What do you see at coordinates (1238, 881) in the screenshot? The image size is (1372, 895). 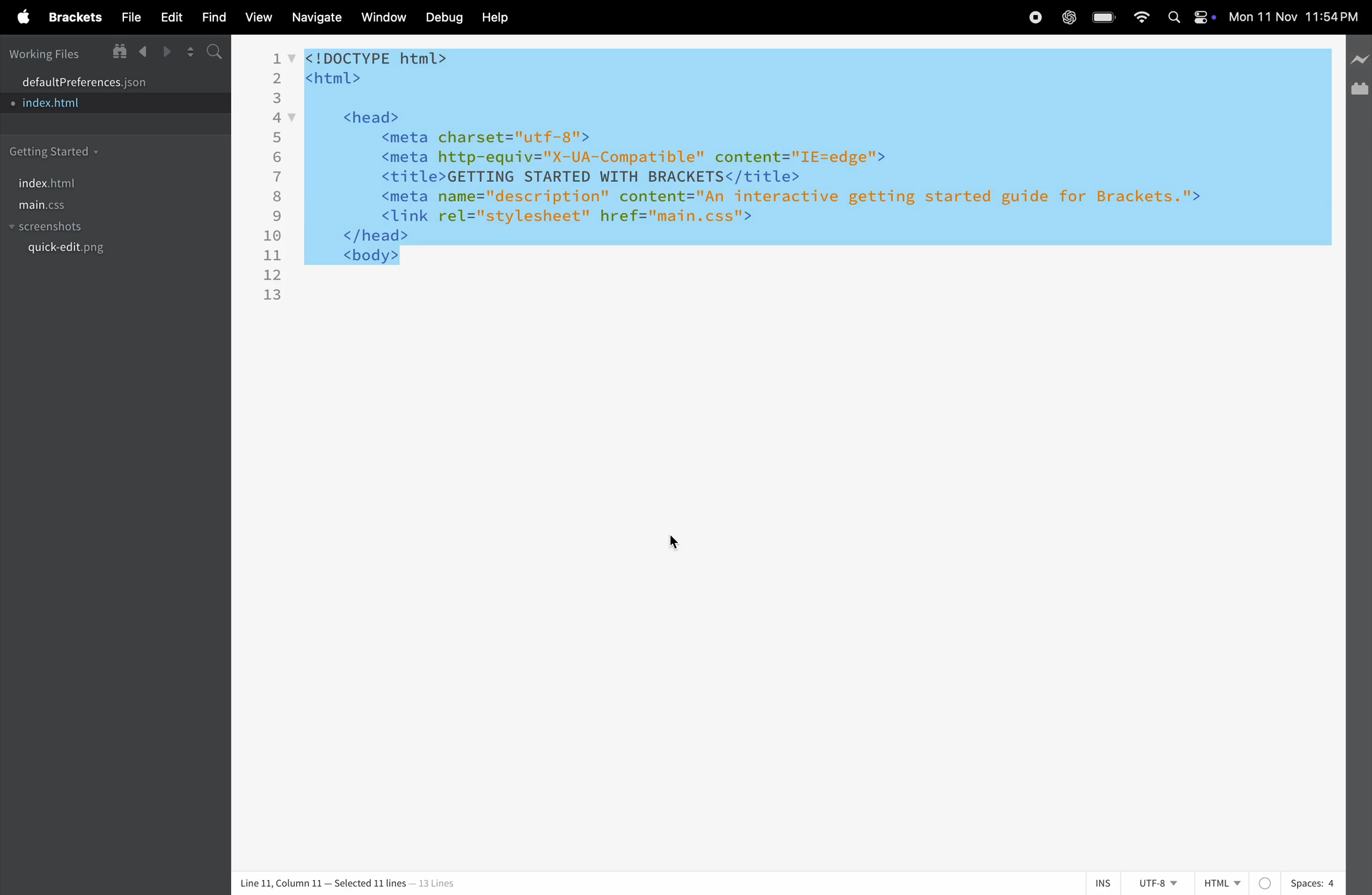 I see `html` at bounding box center [1238, 881].